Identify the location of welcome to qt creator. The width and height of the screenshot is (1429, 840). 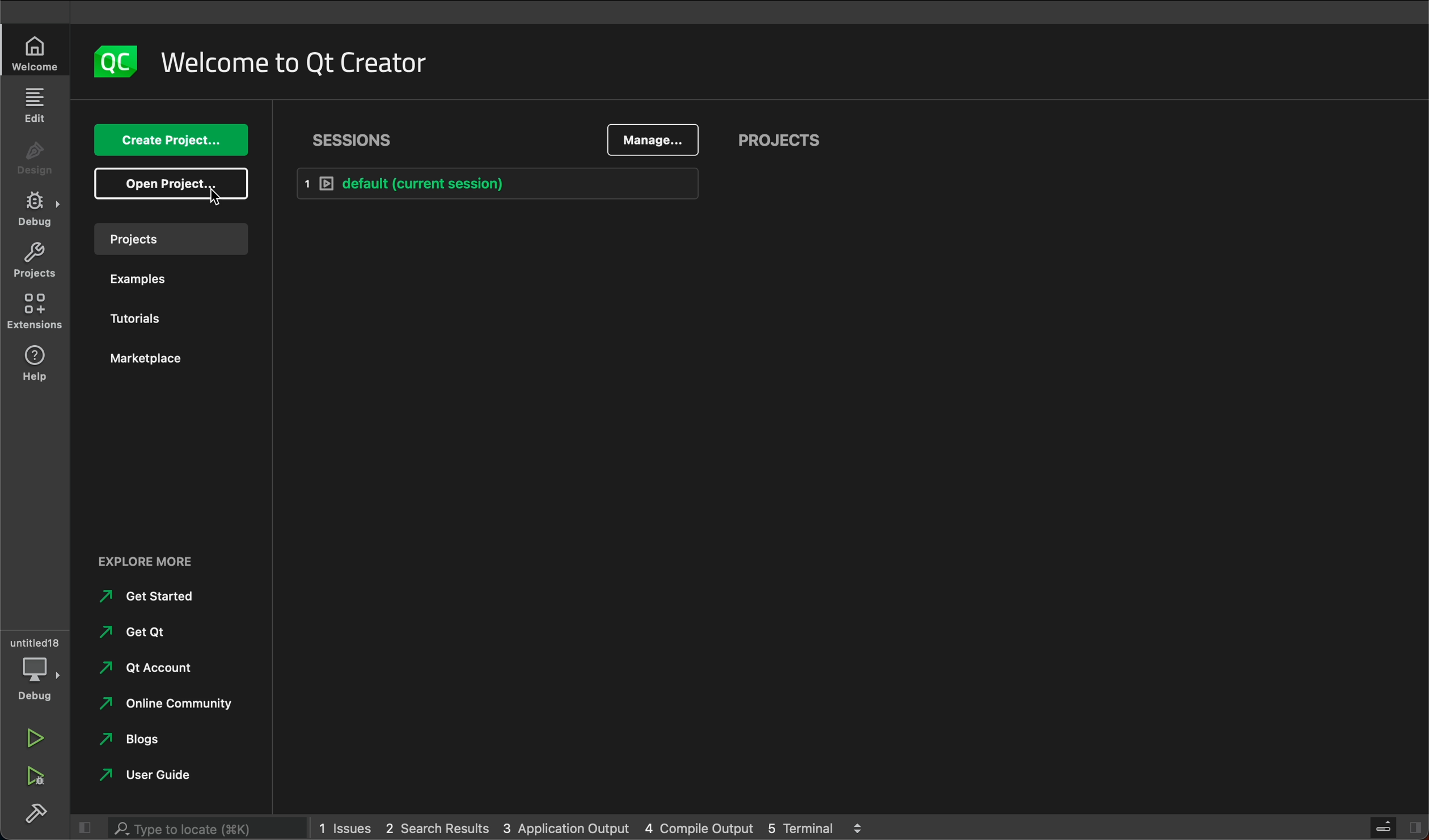
(360, 61).